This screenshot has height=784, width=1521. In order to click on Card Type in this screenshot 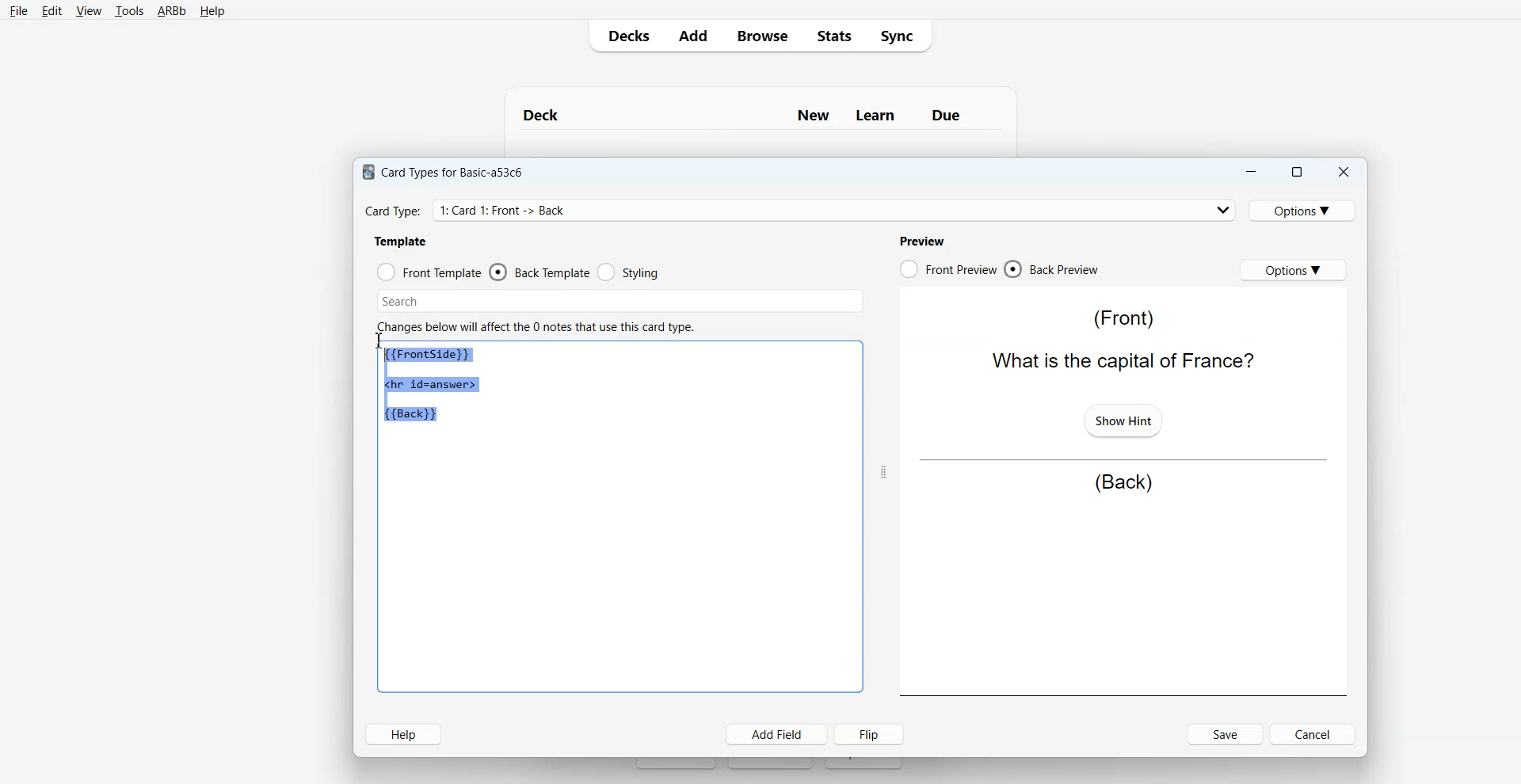, I will do `click(801, 210)`.